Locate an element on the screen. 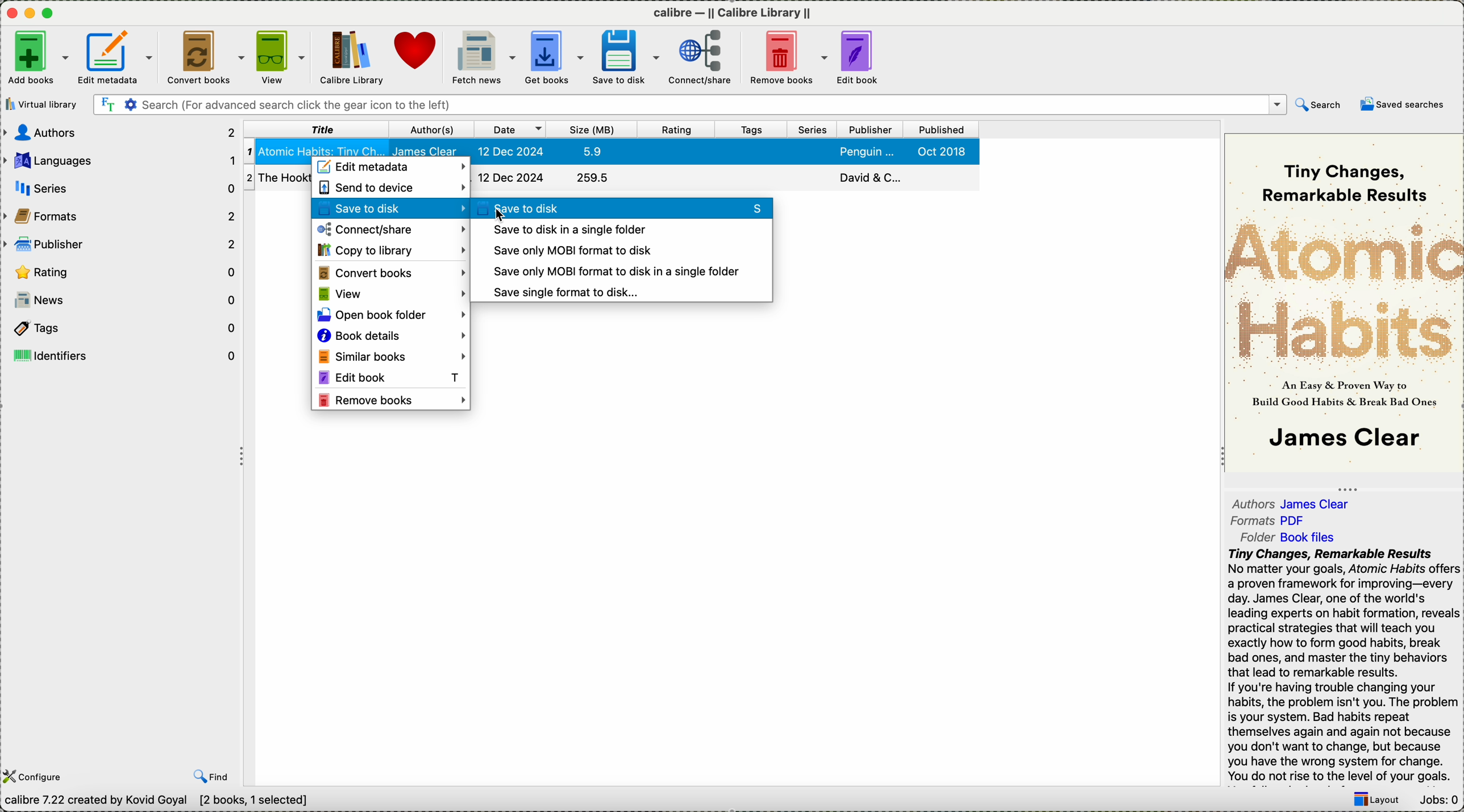 Image resolution: width=1464 pixels, height=812 pixels. layout is located at coordinates (1376, 801).